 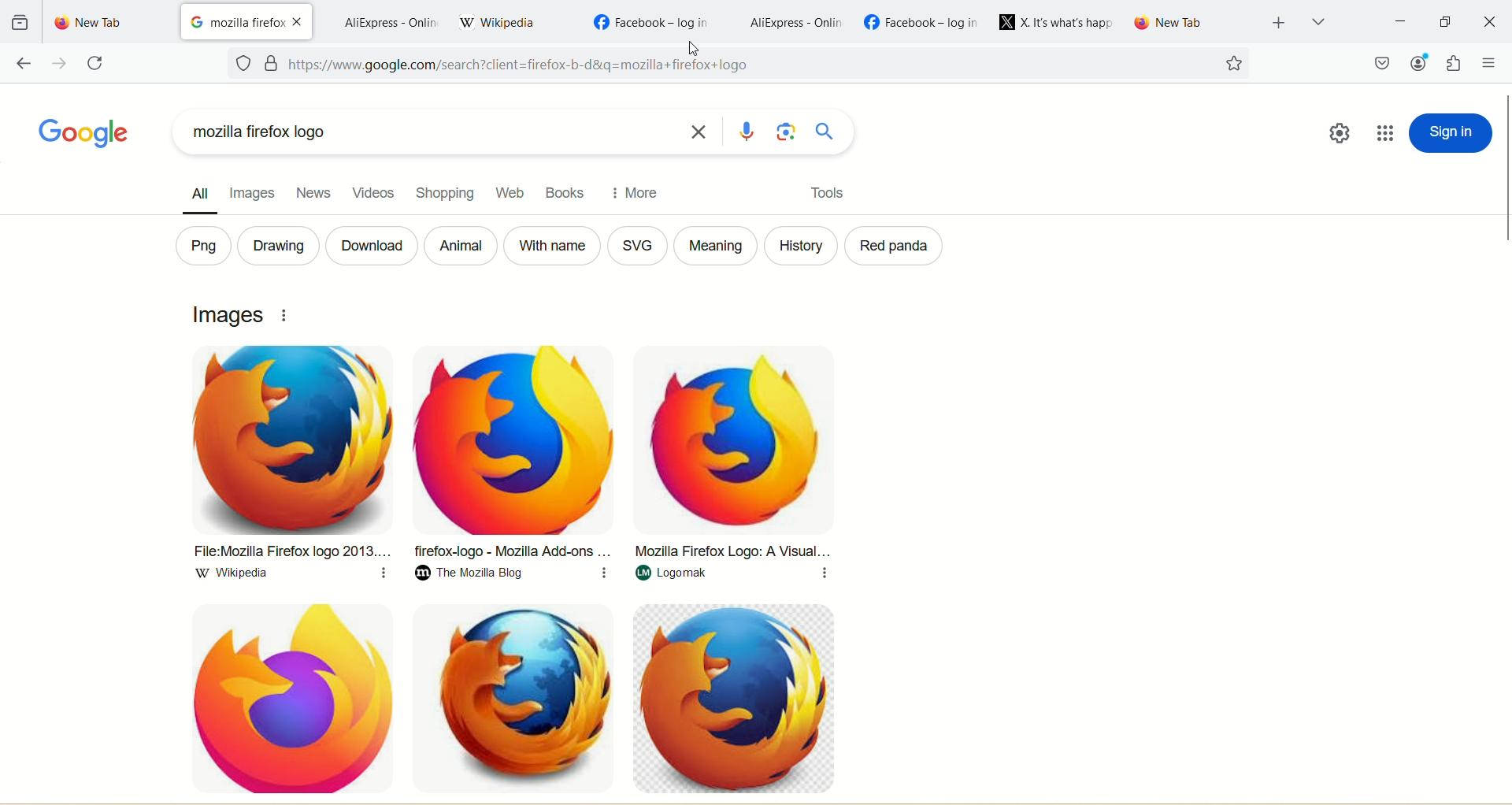 I want to click on open application menu, so click(x=1488, y=62).